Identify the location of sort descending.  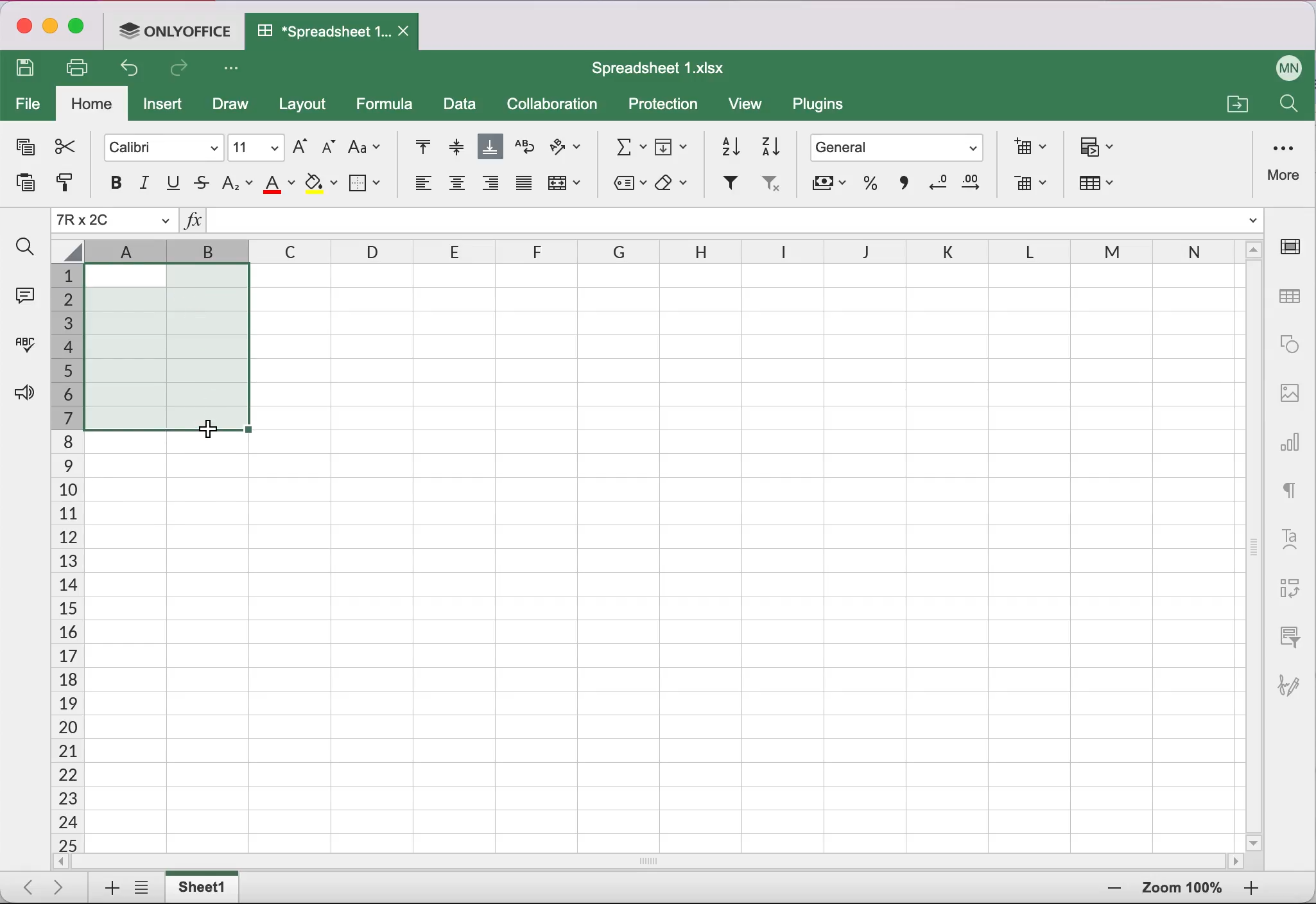
(772, 145).